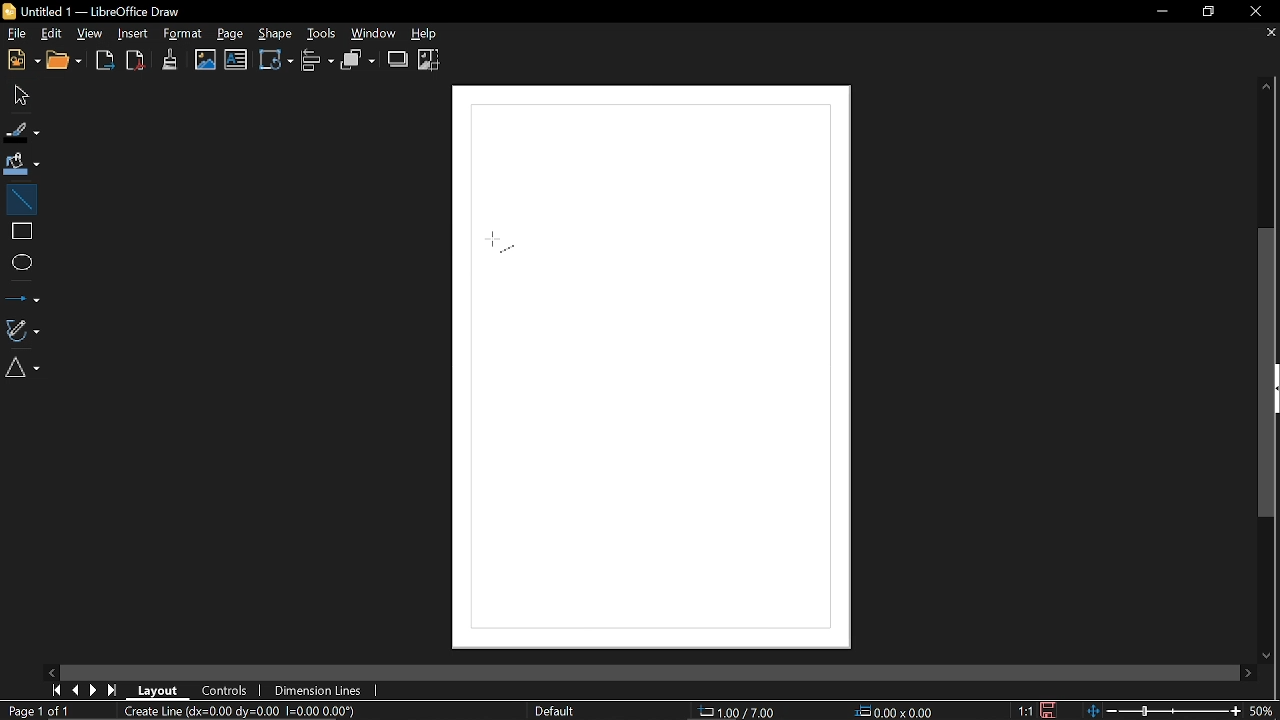 The image size is (1280, 720). I want to click on Insert text, so click(236, 61).